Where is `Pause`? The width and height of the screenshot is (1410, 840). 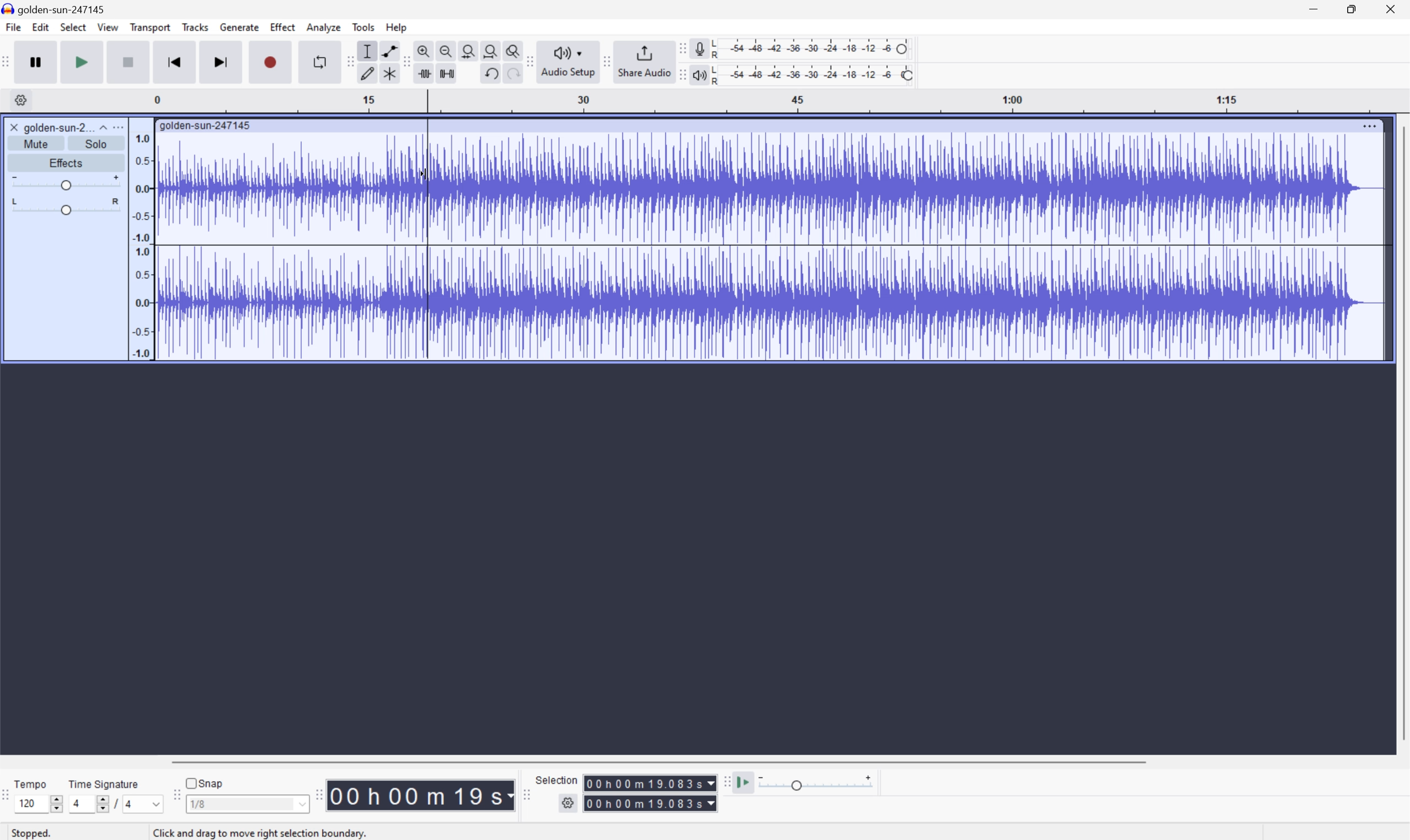 Pause is located at coordinates (35, 62).